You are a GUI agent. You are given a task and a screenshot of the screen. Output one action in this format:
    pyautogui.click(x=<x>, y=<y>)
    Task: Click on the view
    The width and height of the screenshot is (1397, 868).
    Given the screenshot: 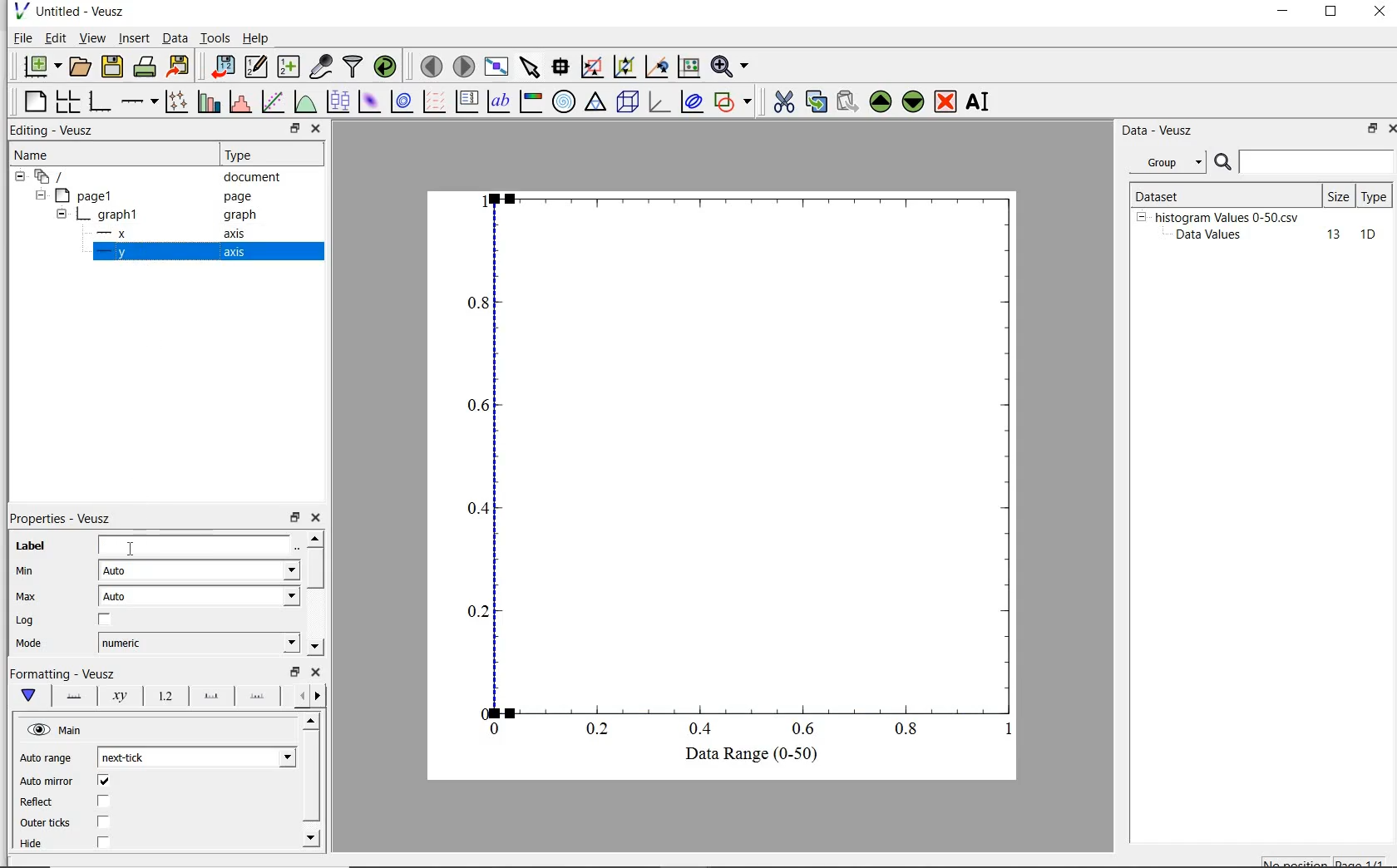 What is the action you would take?
    pyautogui.click(x=95, y=37)
    